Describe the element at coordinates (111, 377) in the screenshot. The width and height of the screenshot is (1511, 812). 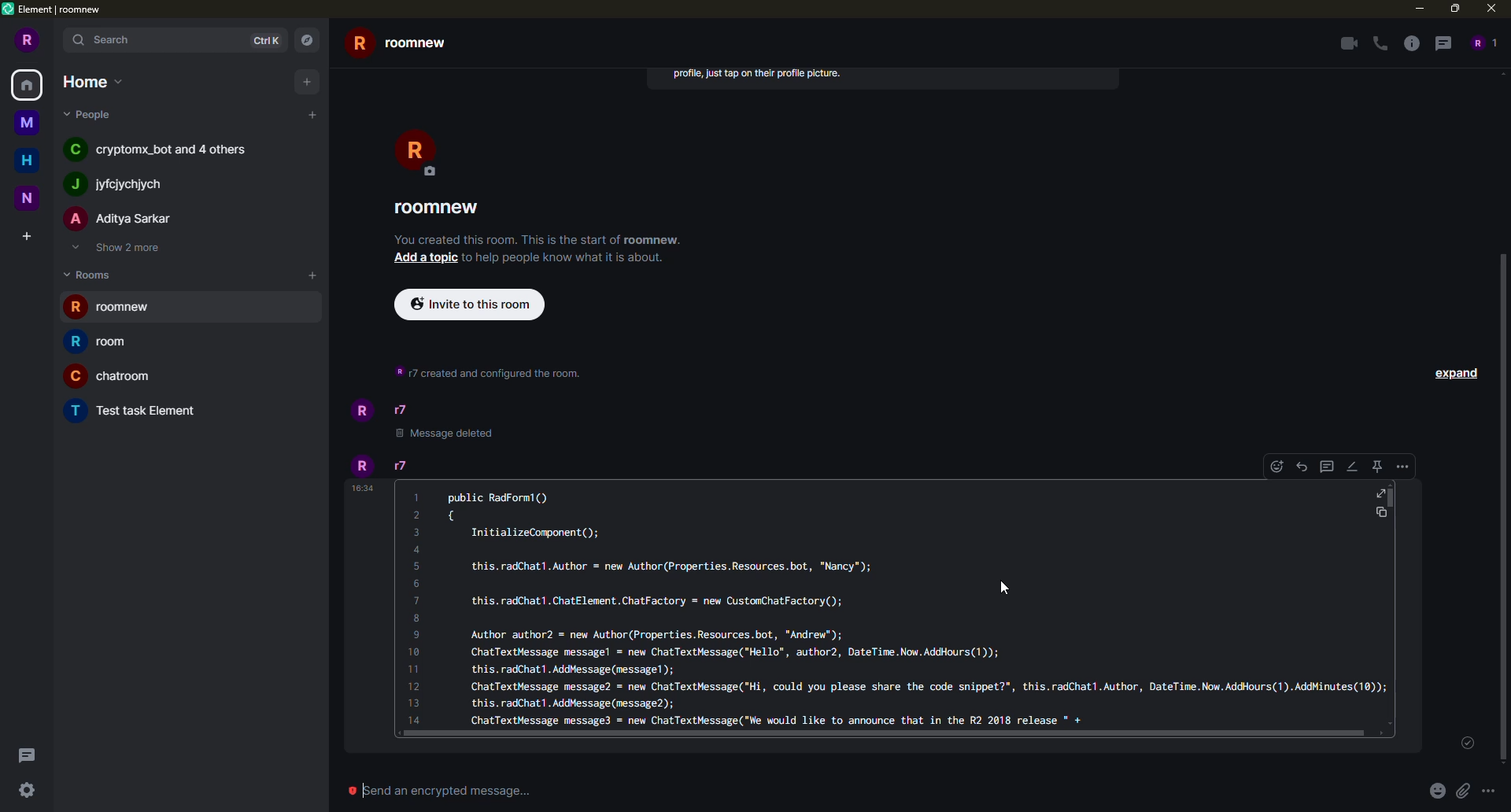
I see `room` at that location.